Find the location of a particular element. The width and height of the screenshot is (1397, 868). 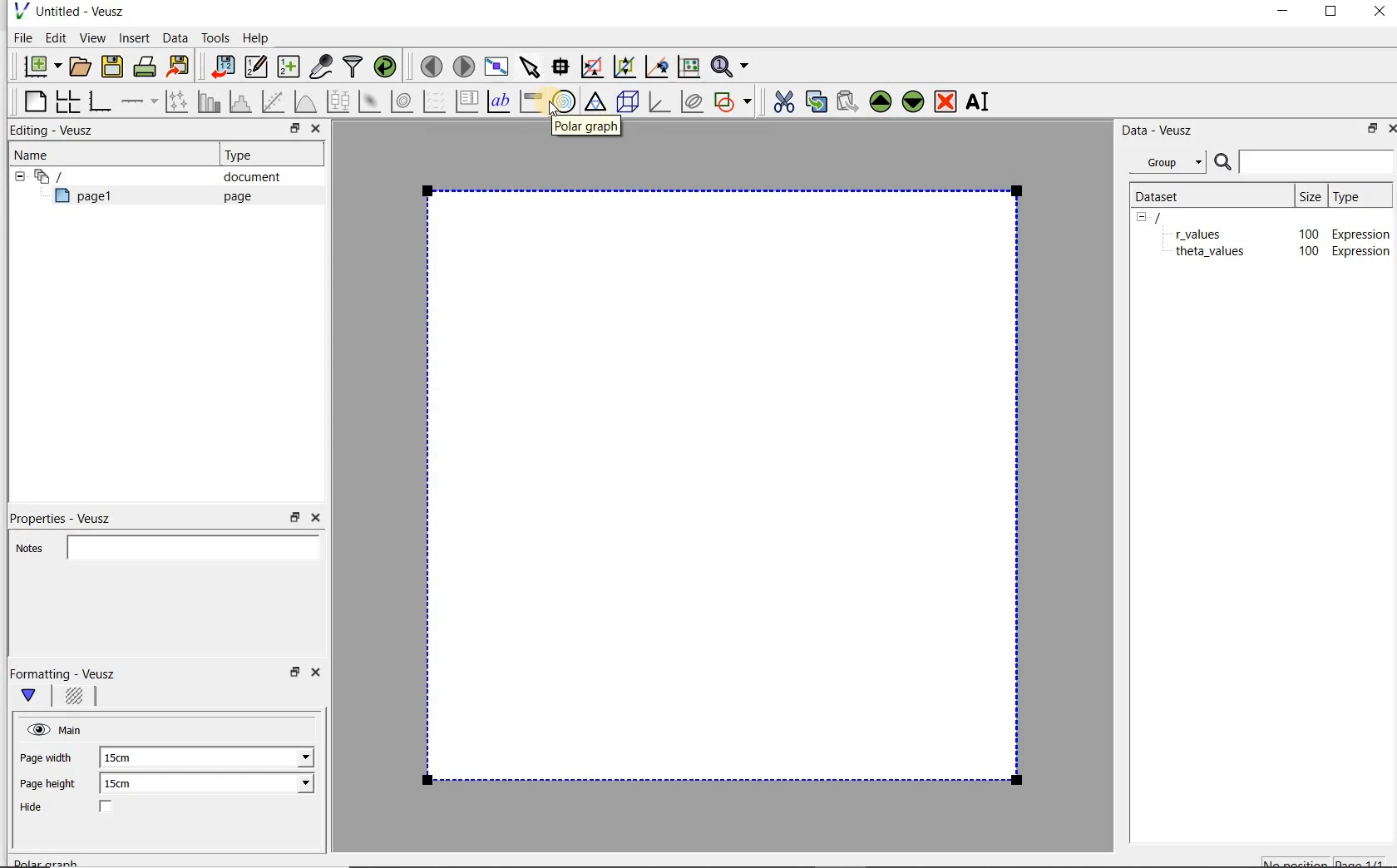

Edit and enter new datasets is located at coordinates (257, 67).